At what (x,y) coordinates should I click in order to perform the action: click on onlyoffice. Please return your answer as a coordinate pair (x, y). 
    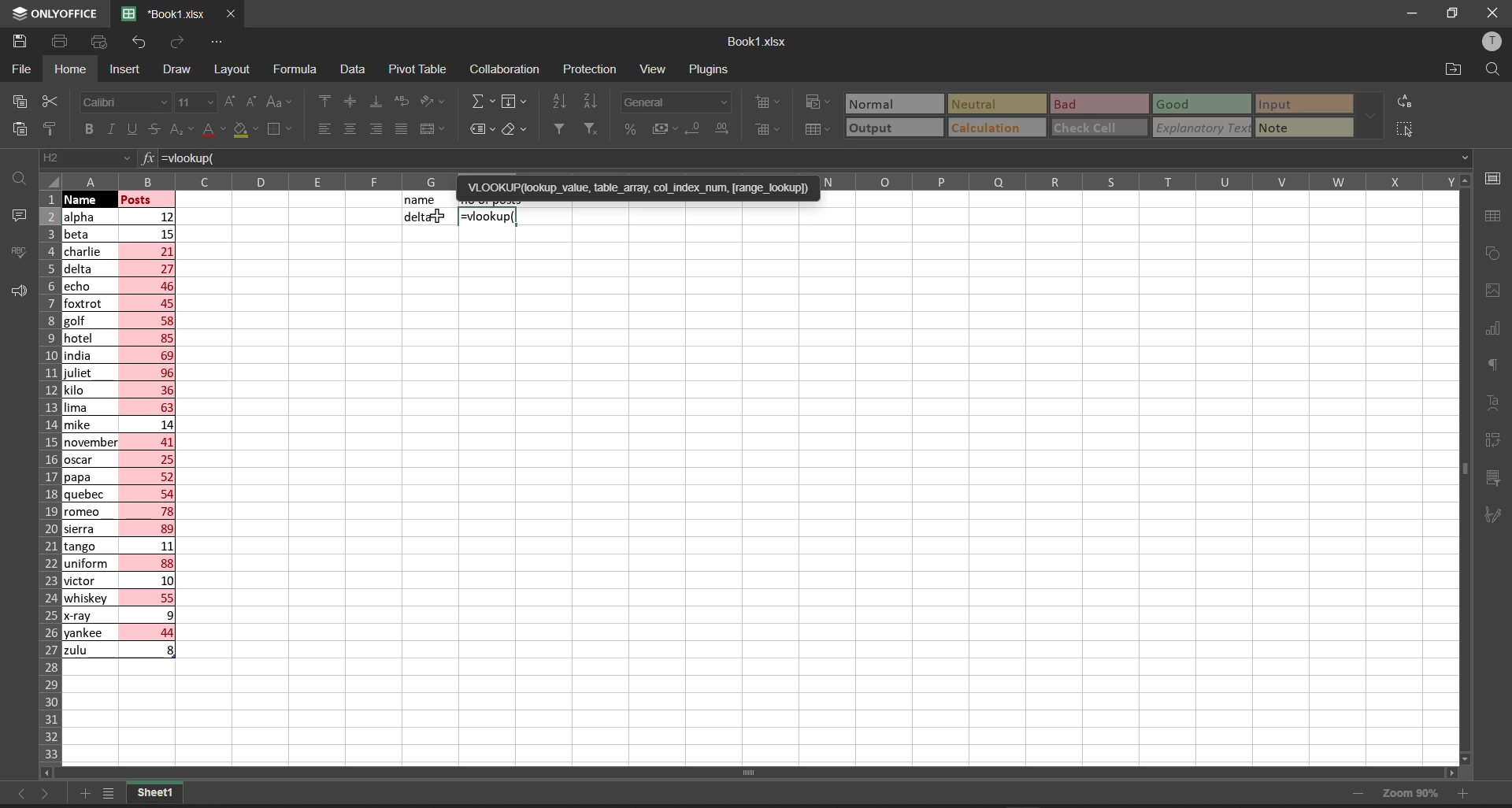
    Looking at the image, I should click on (56, 17).